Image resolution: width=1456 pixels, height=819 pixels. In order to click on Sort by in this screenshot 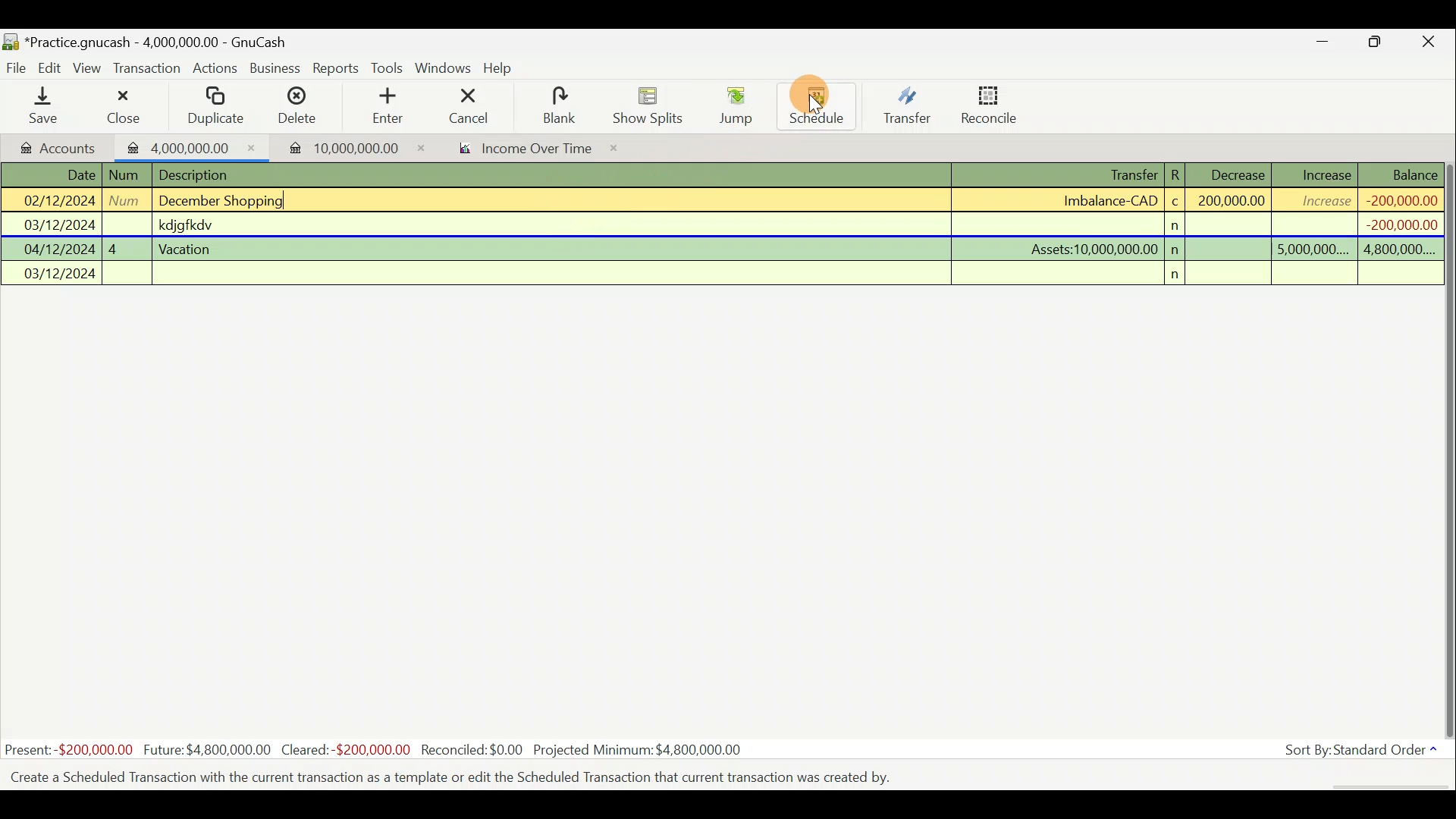, I will do `click(1364, 753)`.